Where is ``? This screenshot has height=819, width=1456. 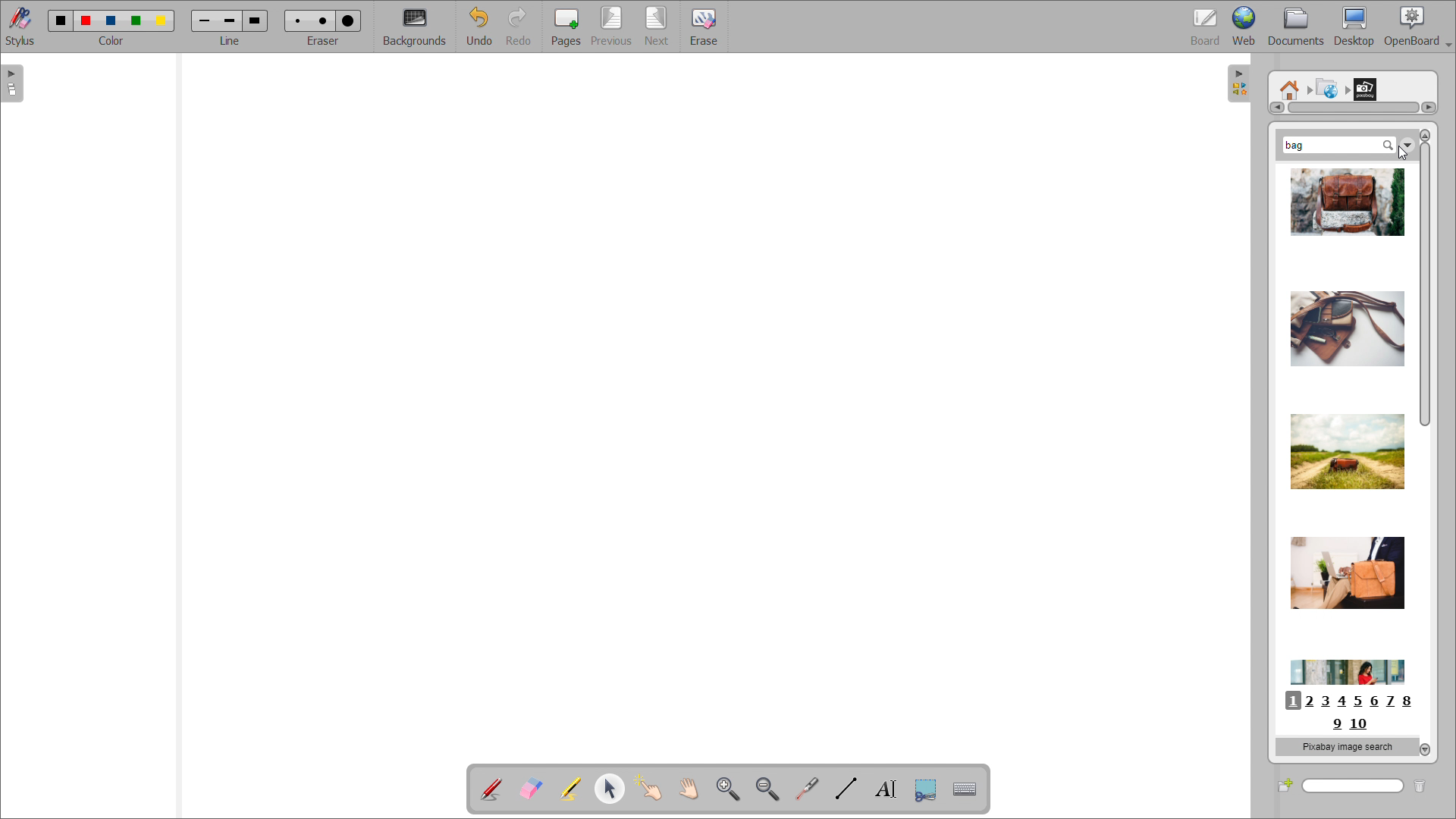  is located at coordinates (925, 790).